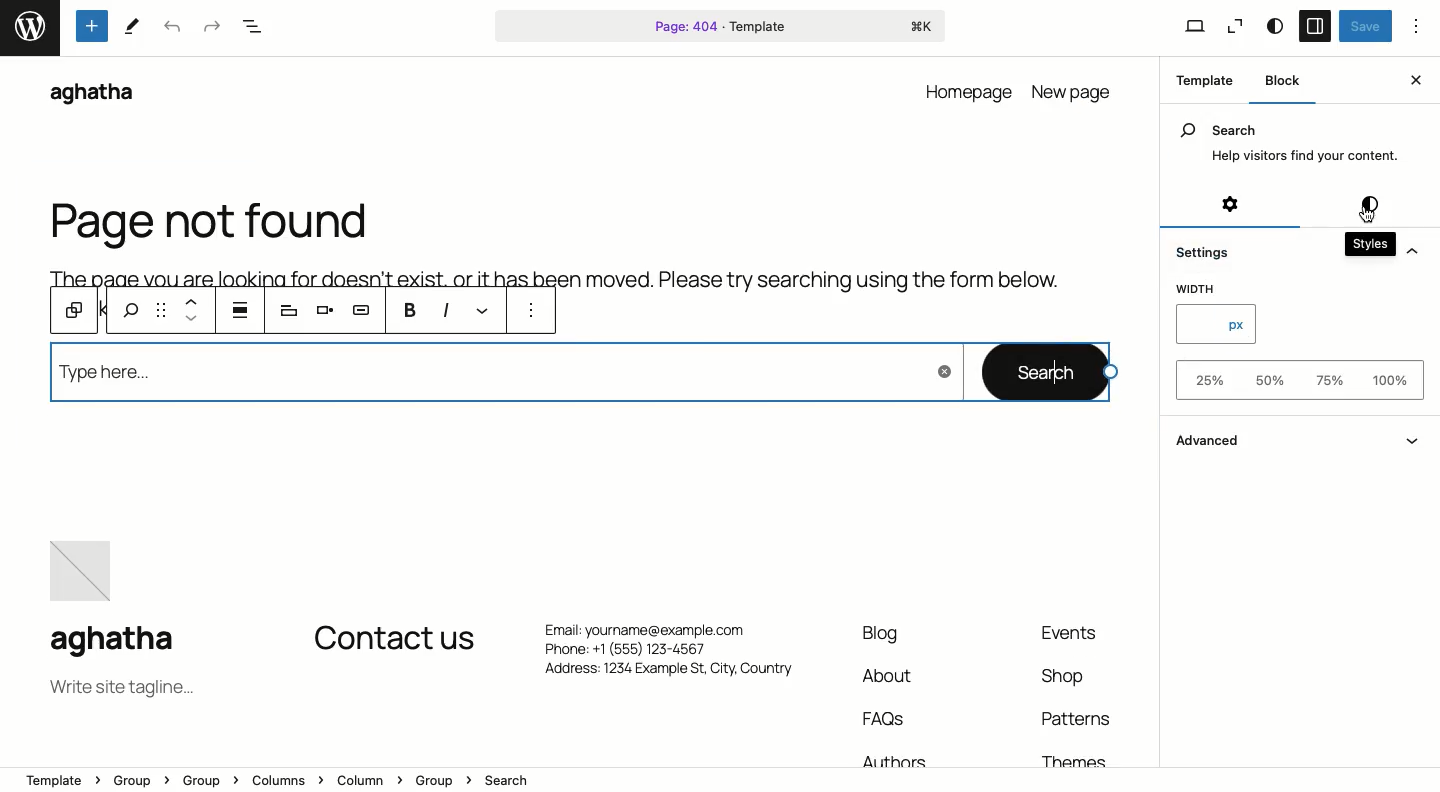  Describe the element at coordinates (1391, 380) in the screenshot. I see `100%` at that location.